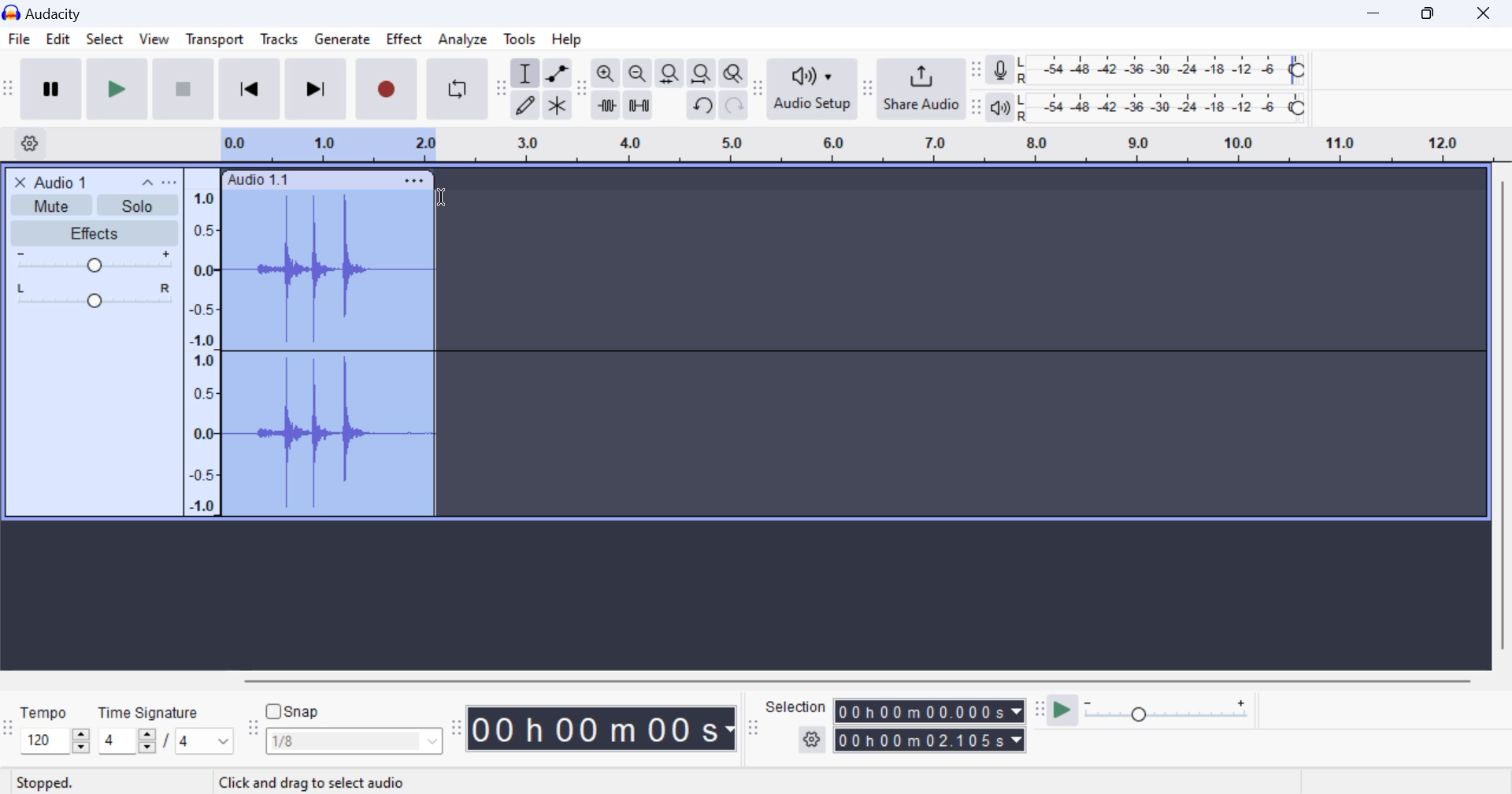 Image resolution: width=1512 pixels, height=794 pixels. What do you see at coordinates (463, 39) in the screenshot?
I see `Analyze` at bounding box center [463, 39].